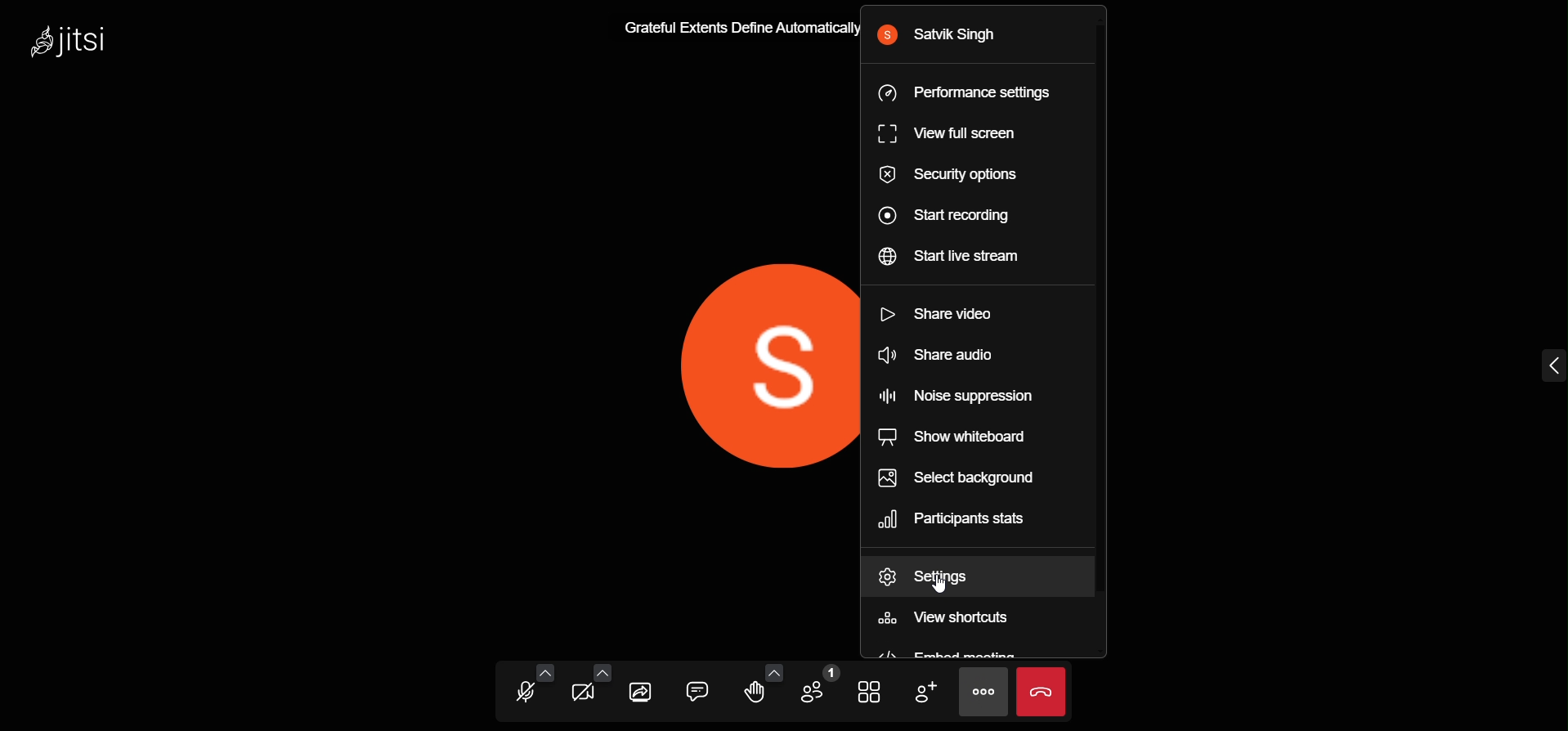  Describe the element at coordinates (873, 692) in the screenshot. I see `tile view` at that location.